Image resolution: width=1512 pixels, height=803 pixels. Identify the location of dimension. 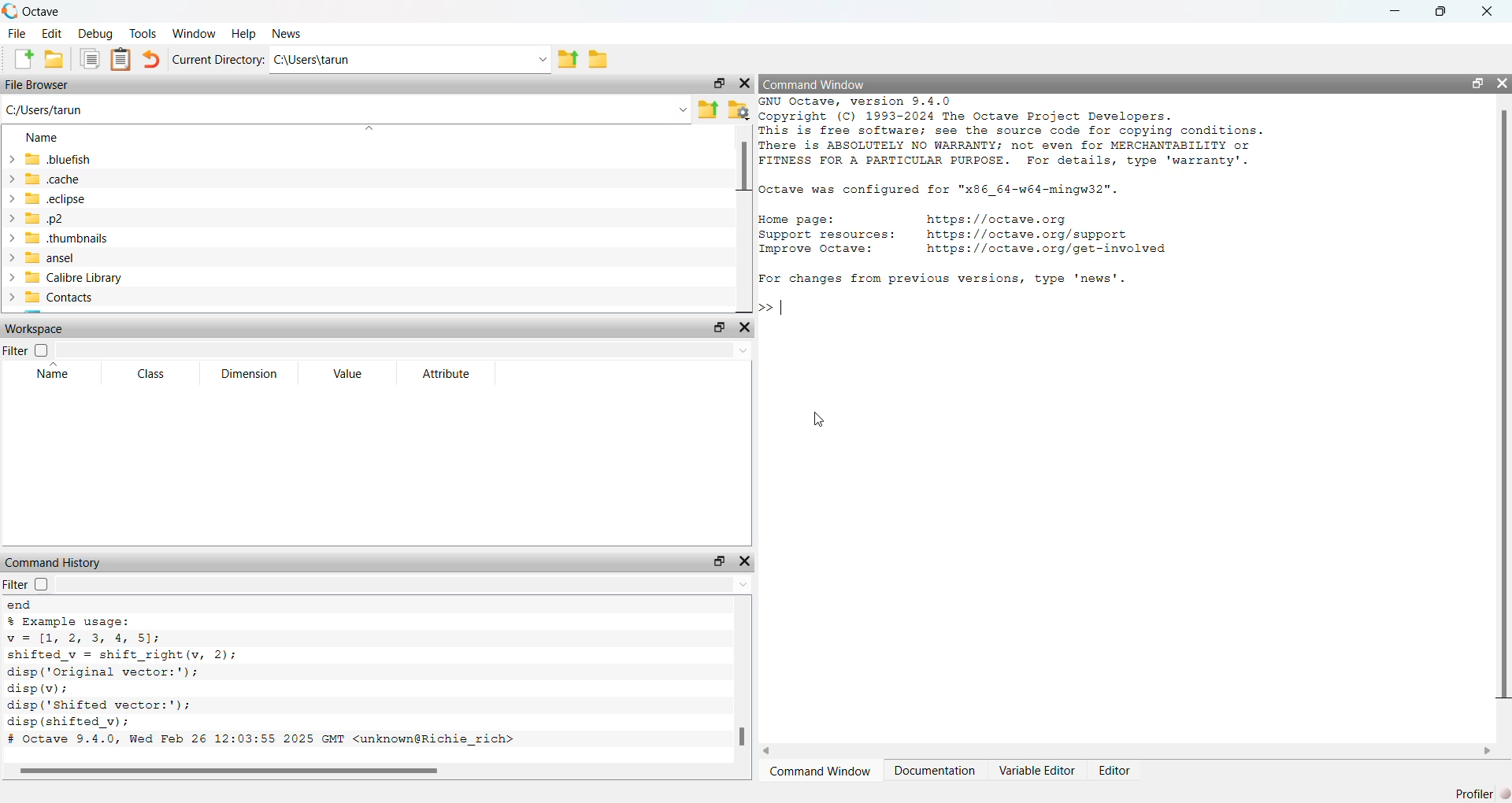
(250, 375).